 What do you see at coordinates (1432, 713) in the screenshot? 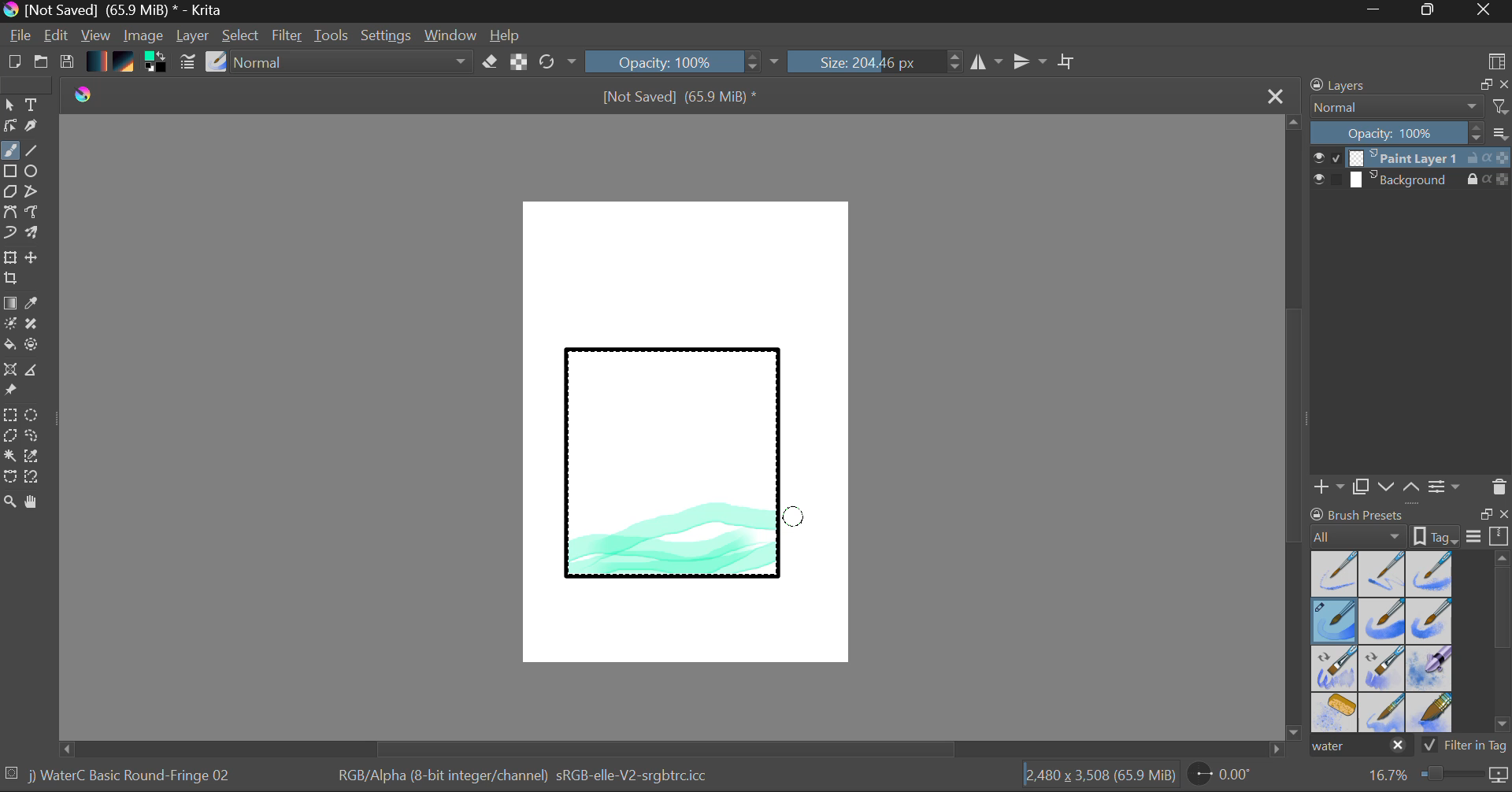
I see `Water C - Wide Area` at bounding box center [1432, 713].